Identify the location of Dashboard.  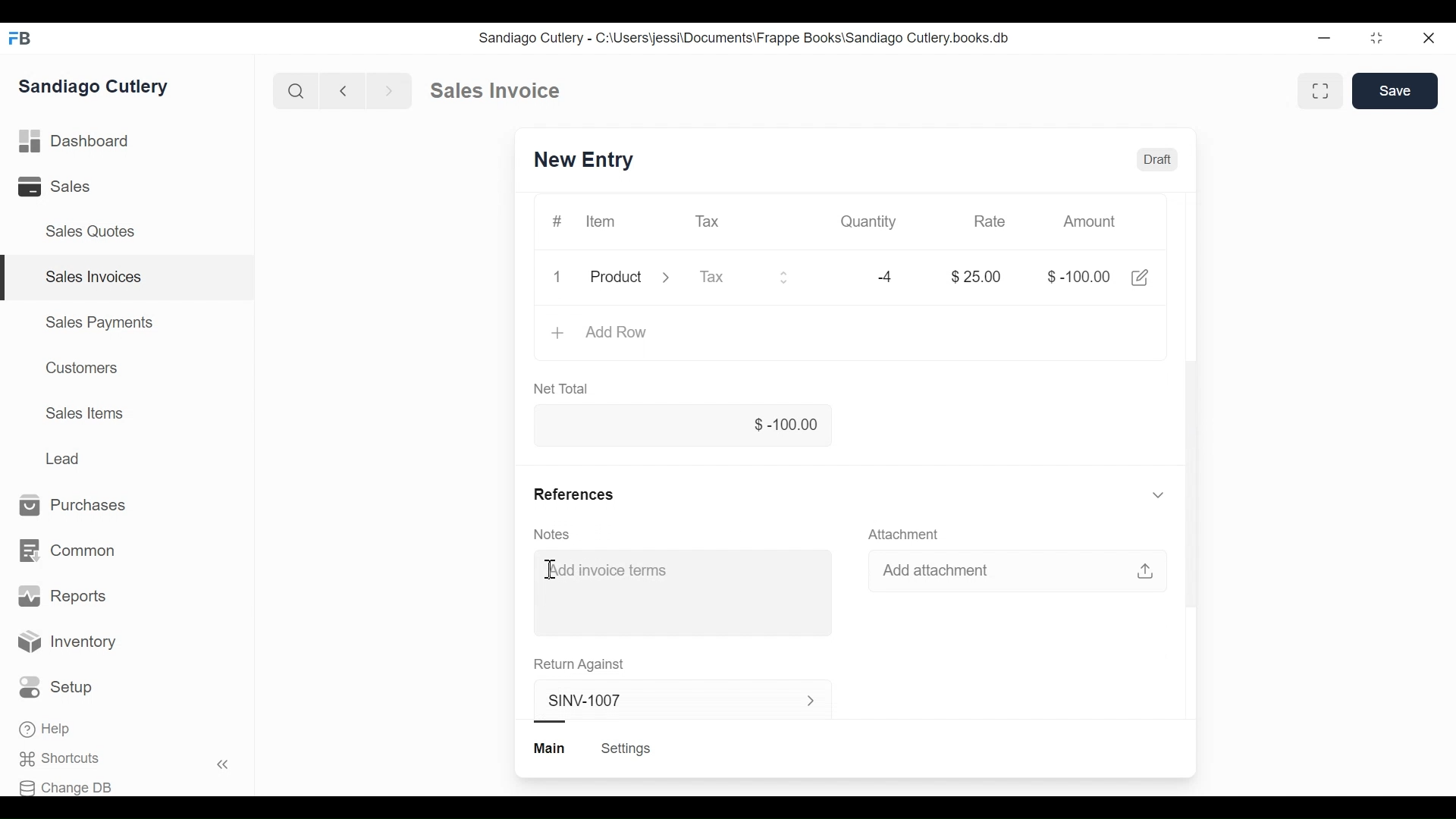
(74, 141).